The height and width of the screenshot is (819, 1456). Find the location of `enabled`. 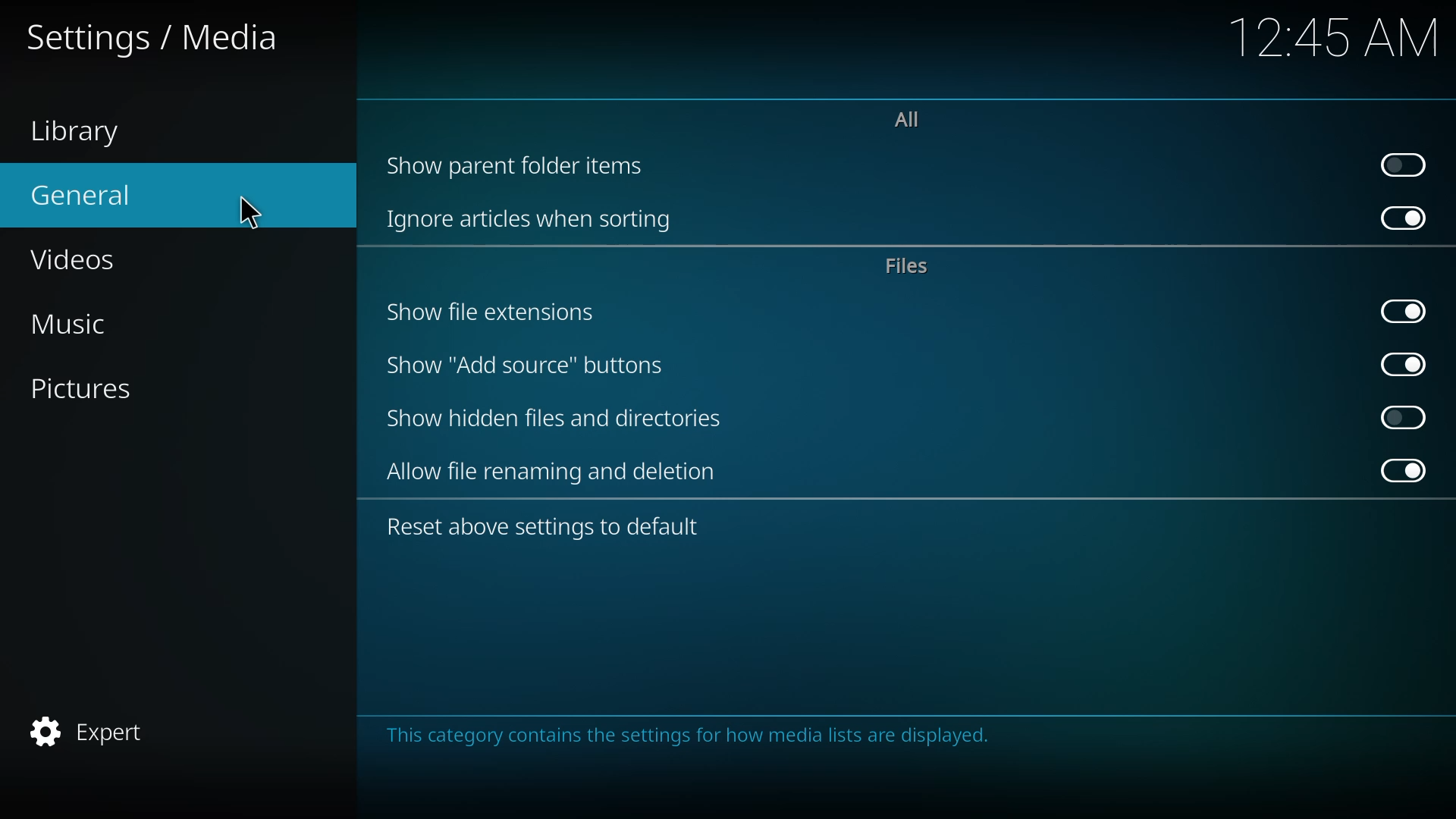

enabled is located at coordinates (1399, 470).